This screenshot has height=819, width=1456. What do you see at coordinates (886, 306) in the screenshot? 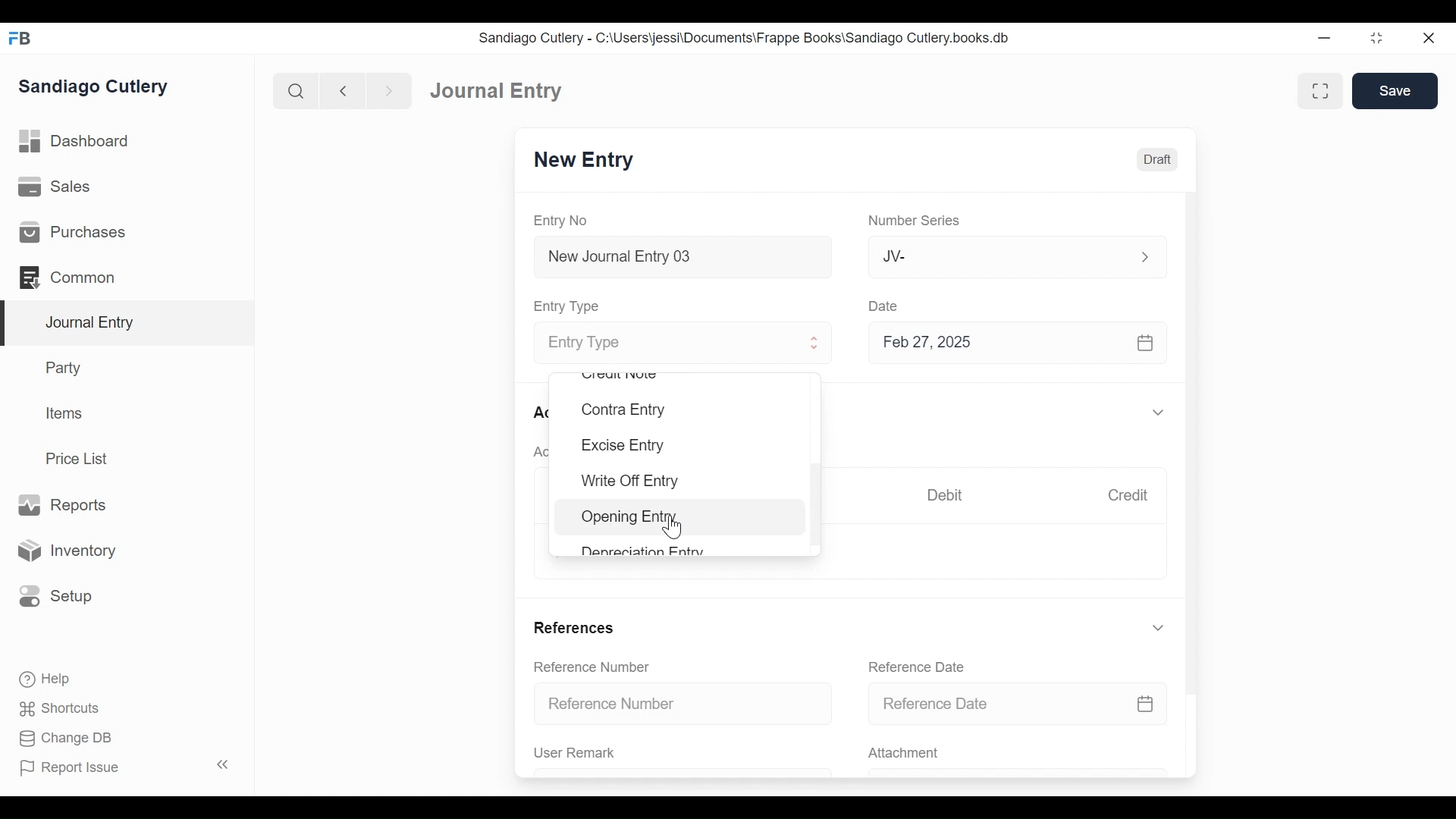
I see `Date` at bounding box center [886, 306].